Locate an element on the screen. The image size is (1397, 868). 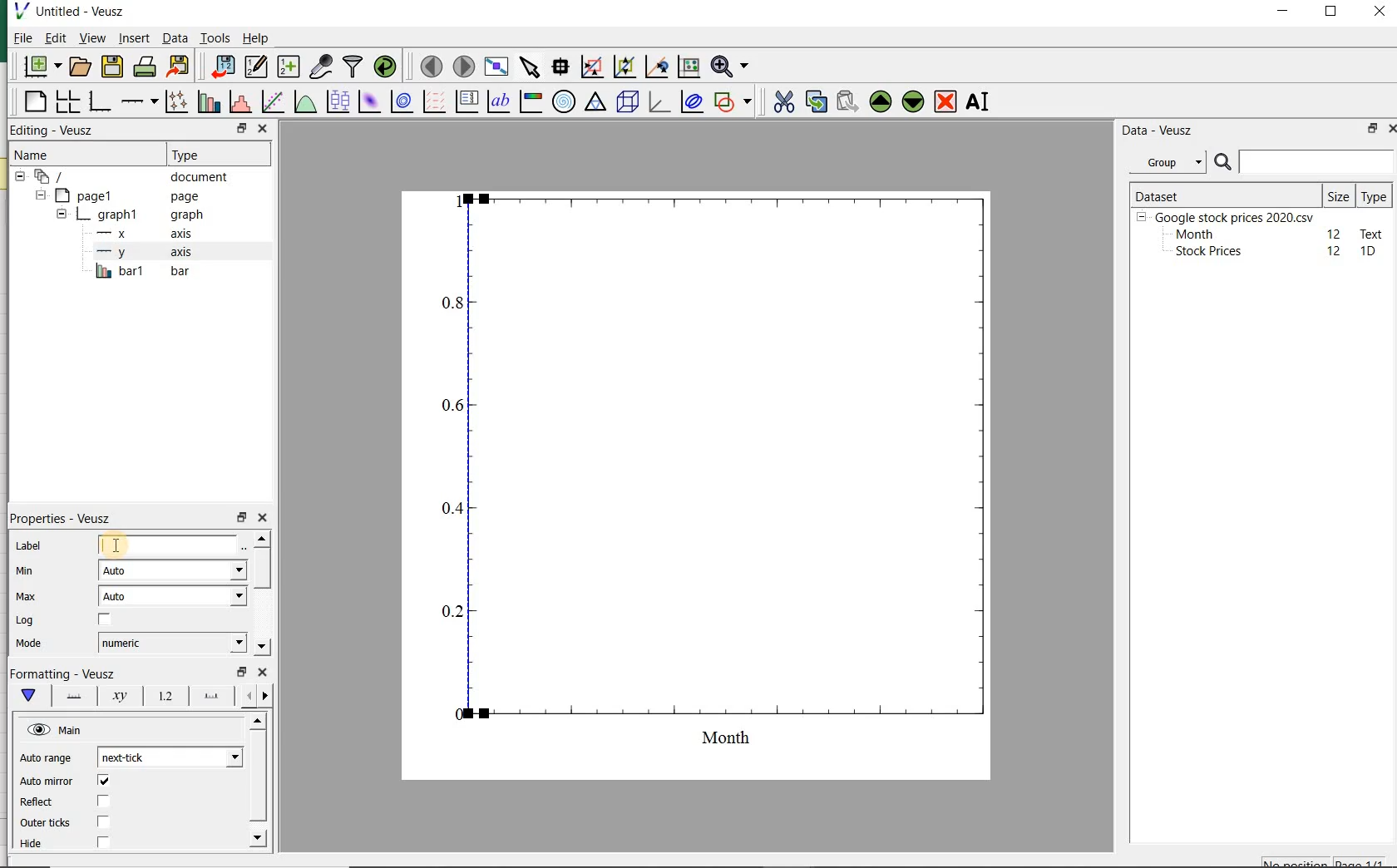
plot bar charts is located at coordinates (206, 103).